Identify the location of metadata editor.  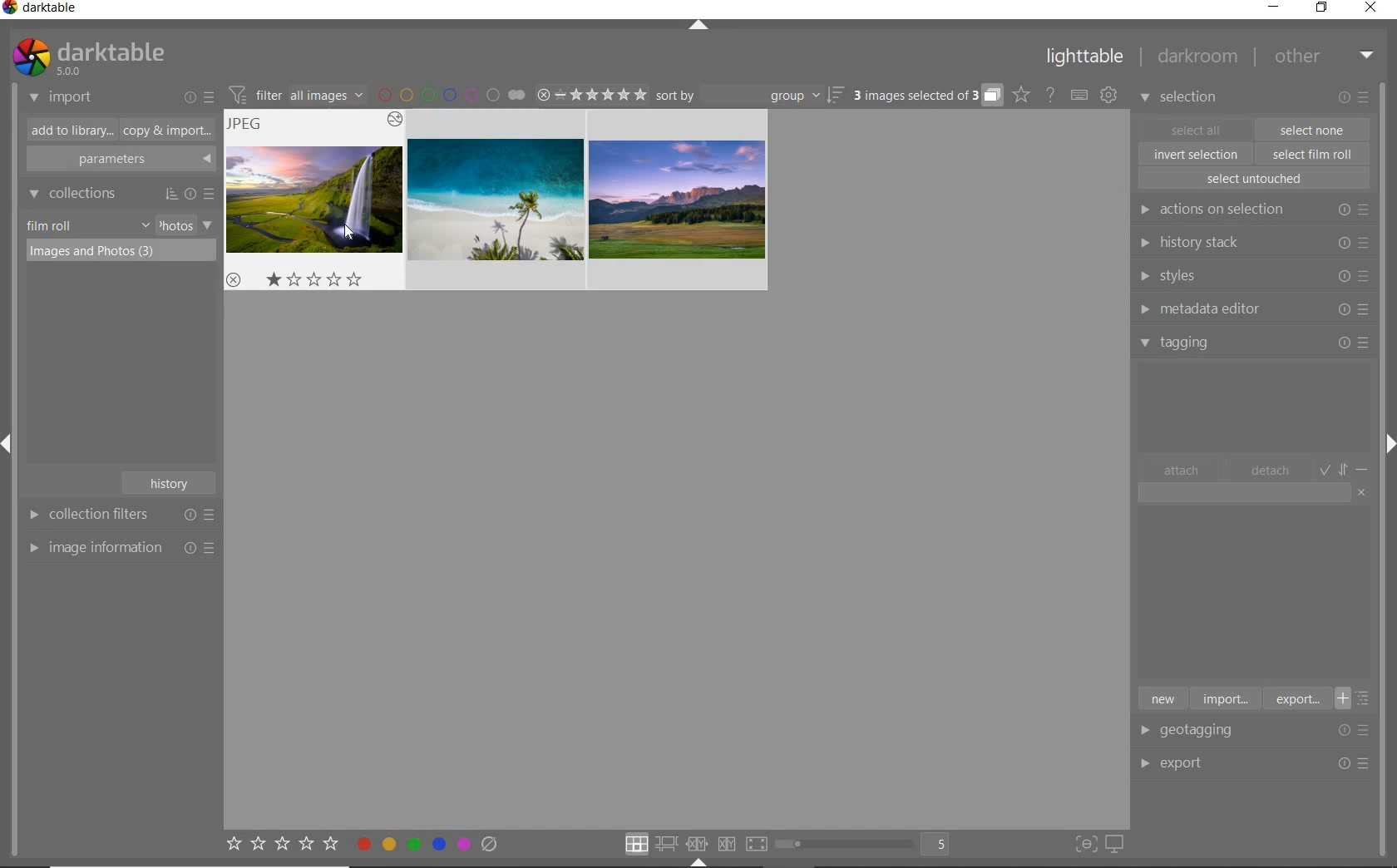
(1251, 309).